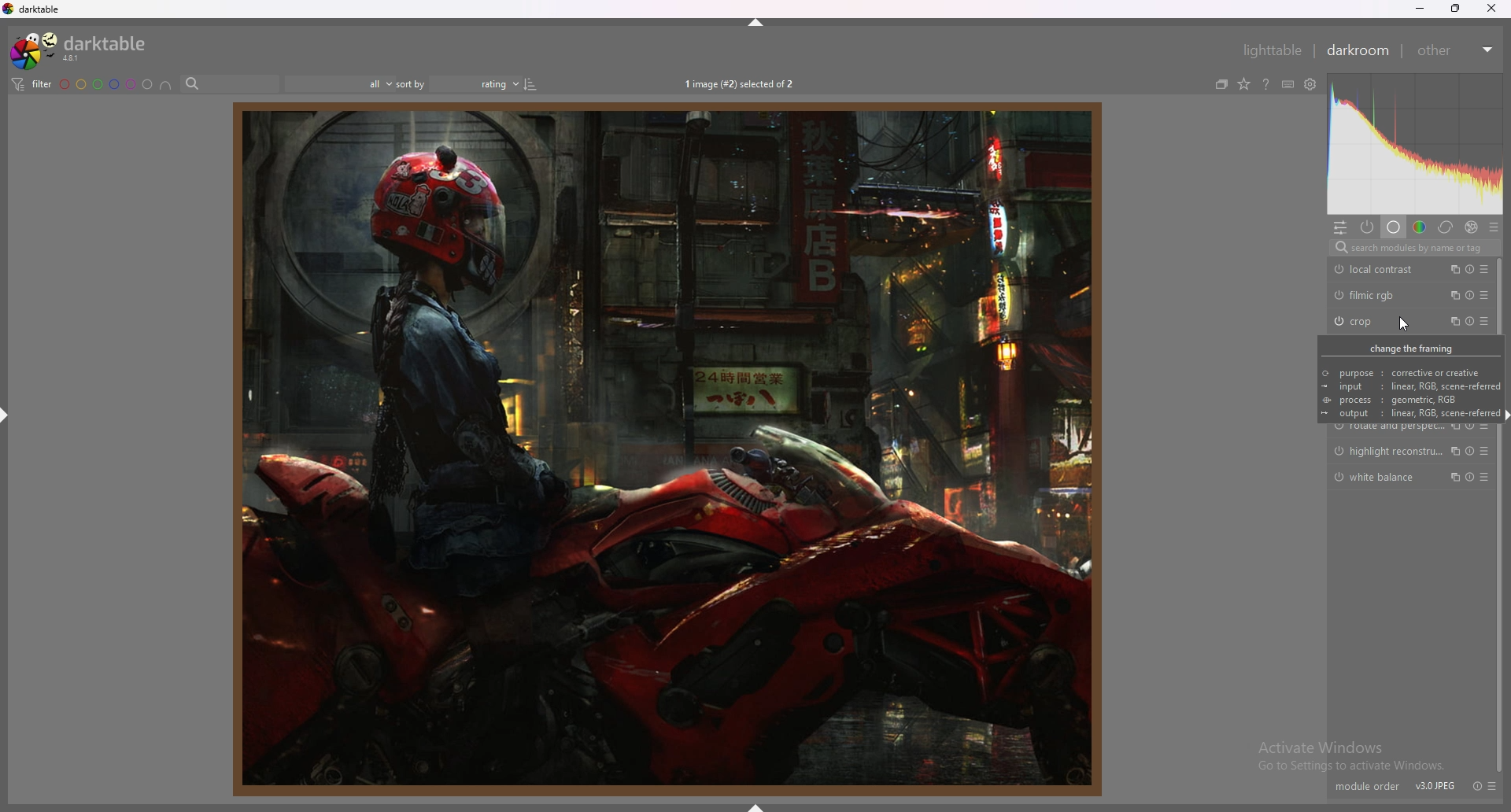 The height and width of the screenshot is (812, 1511). What do you see at coordinates (1420, 227) in the screenshot?
I see `color` at bounding box center [1420, 227].